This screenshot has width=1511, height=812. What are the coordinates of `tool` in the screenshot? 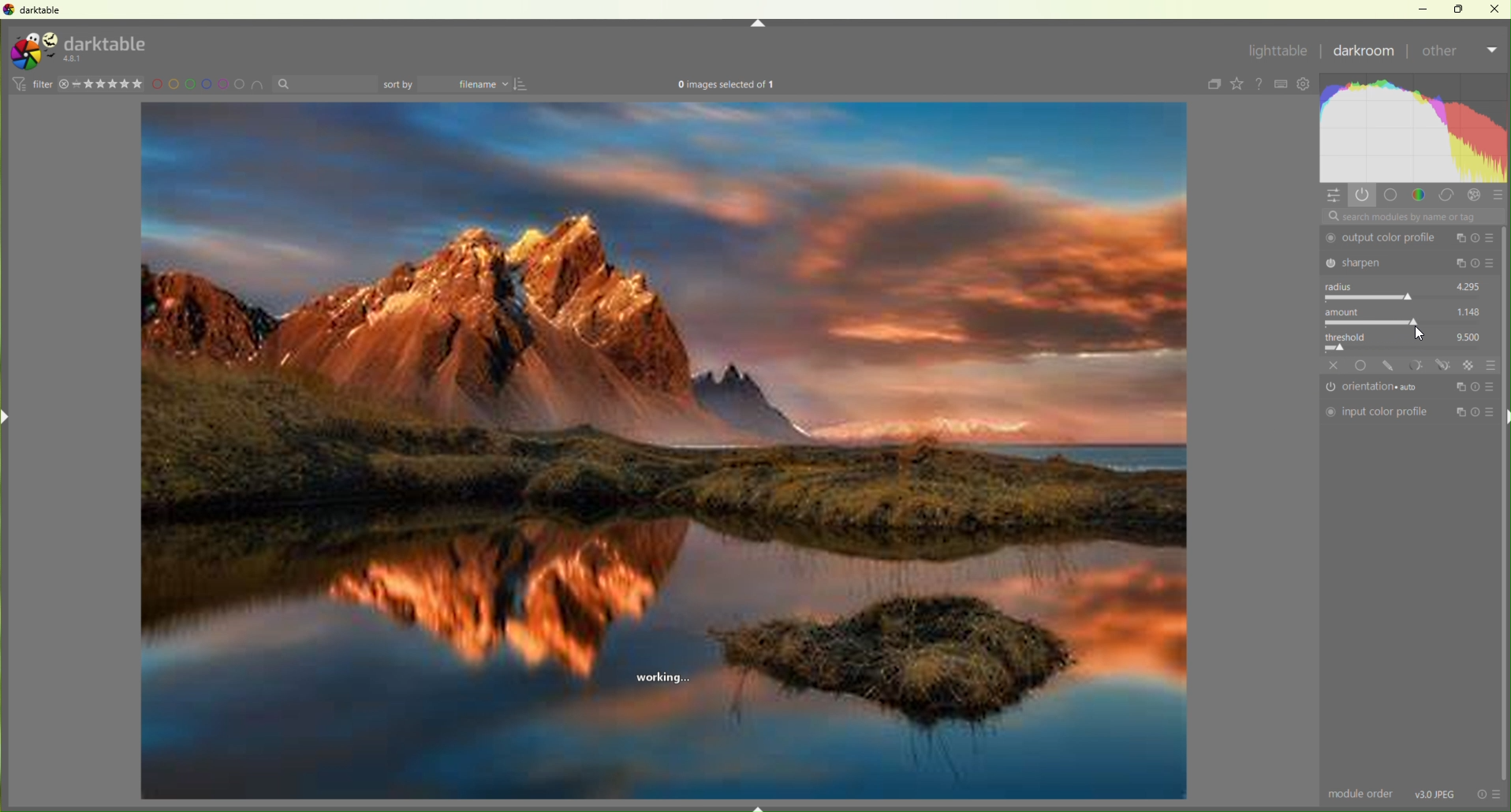 It's located at (1444, 365).